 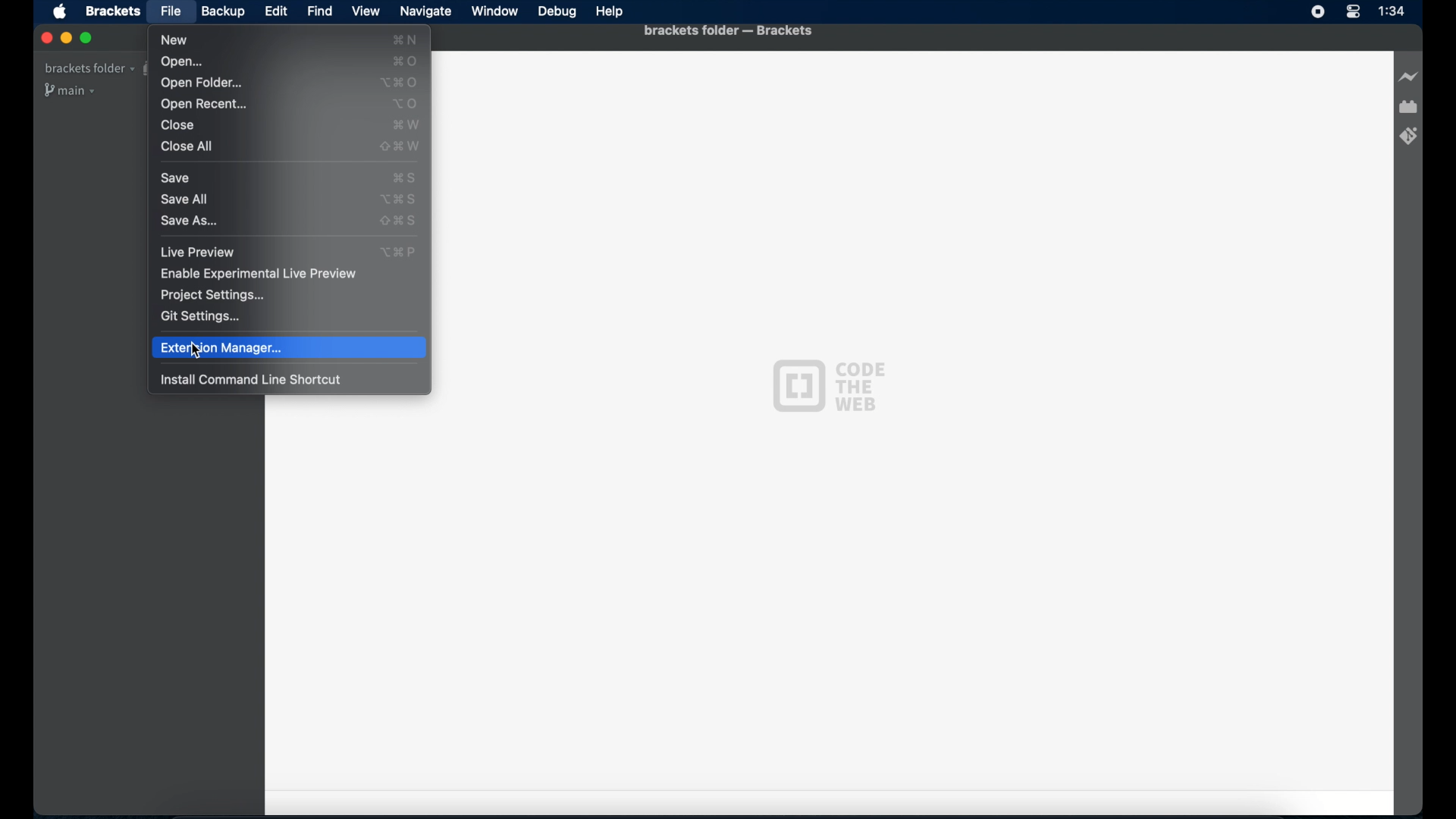 What do you see at coordinates (202, 83) in the screenshot?
I see `Open folder` at bounding box center [202, 83].